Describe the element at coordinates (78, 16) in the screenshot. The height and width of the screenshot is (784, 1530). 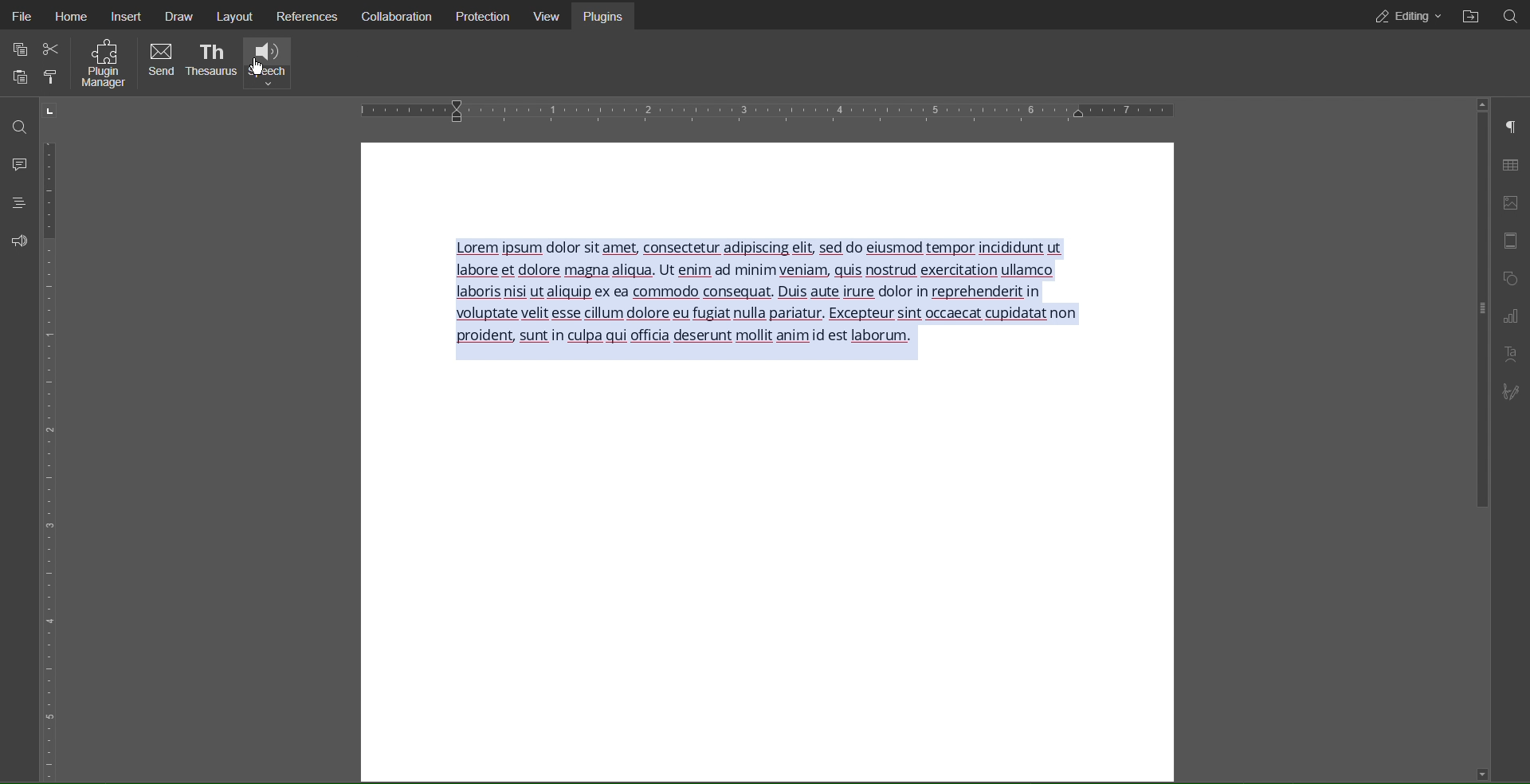
I see `Home` at that location.